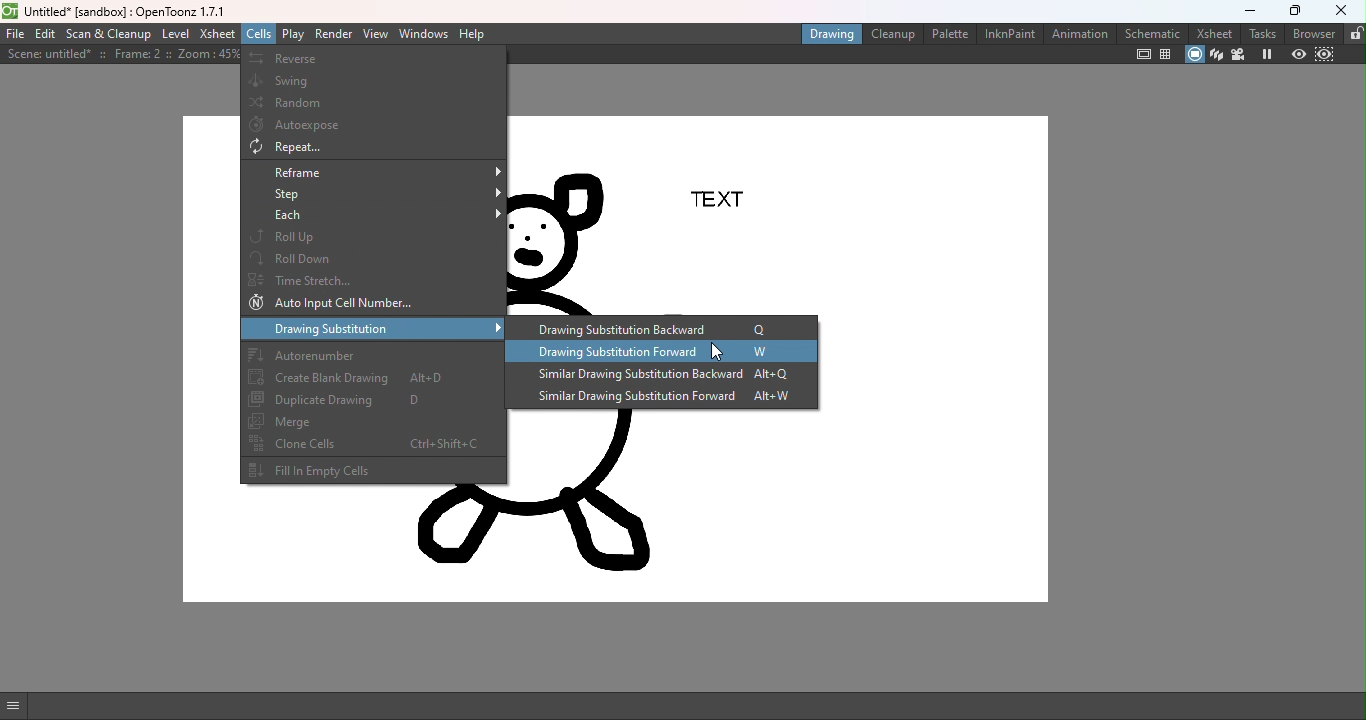  I want to click on Xsheet, so click(1211, 33).